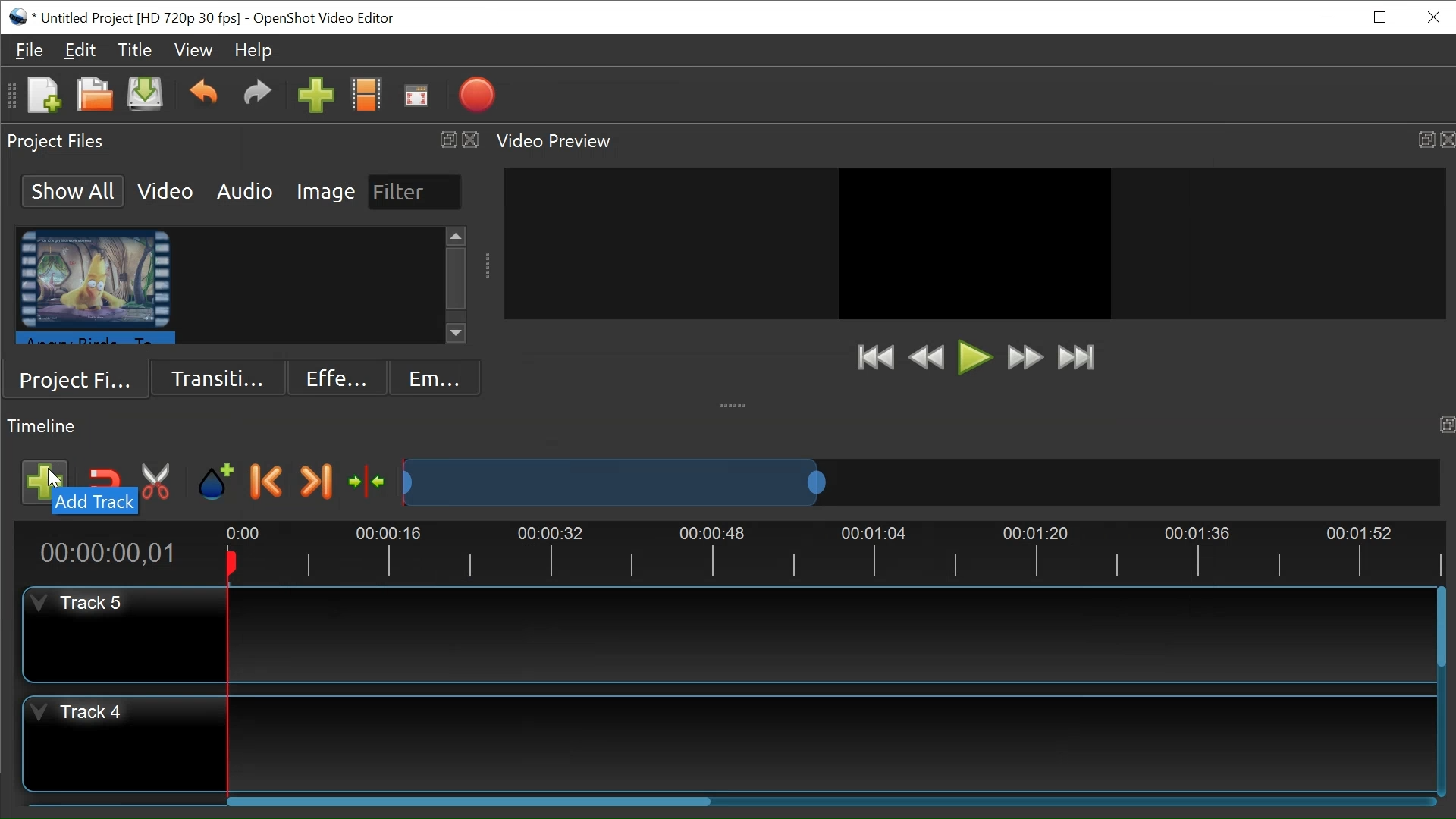 The width and height of the screenshot is (1456, 819). Describe the element at coordinates (324, 17) in the screenshot. I see `OpenShot Video Editor` at that location.